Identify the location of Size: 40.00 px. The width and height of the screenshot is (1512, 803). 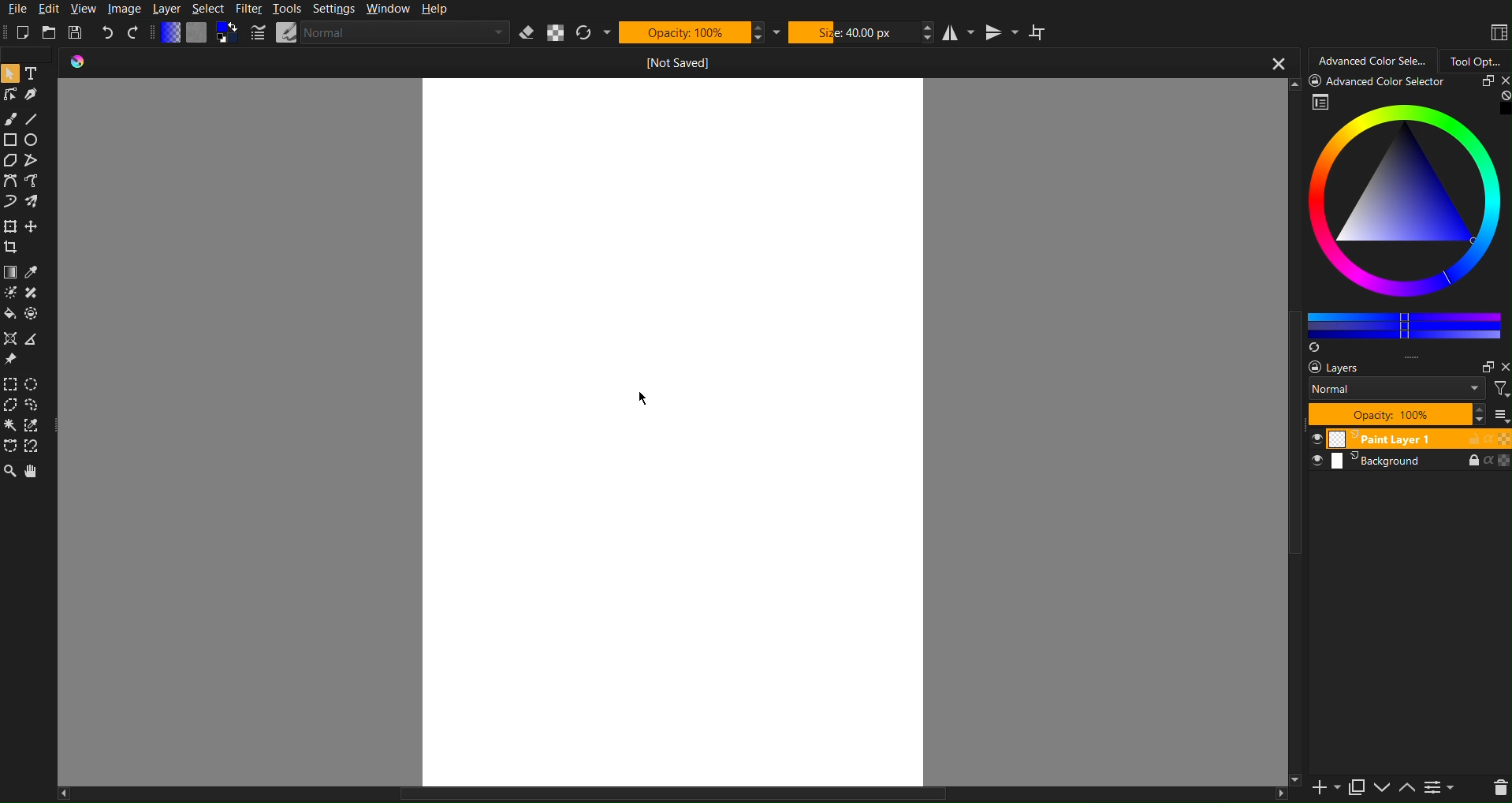
(862, 32).